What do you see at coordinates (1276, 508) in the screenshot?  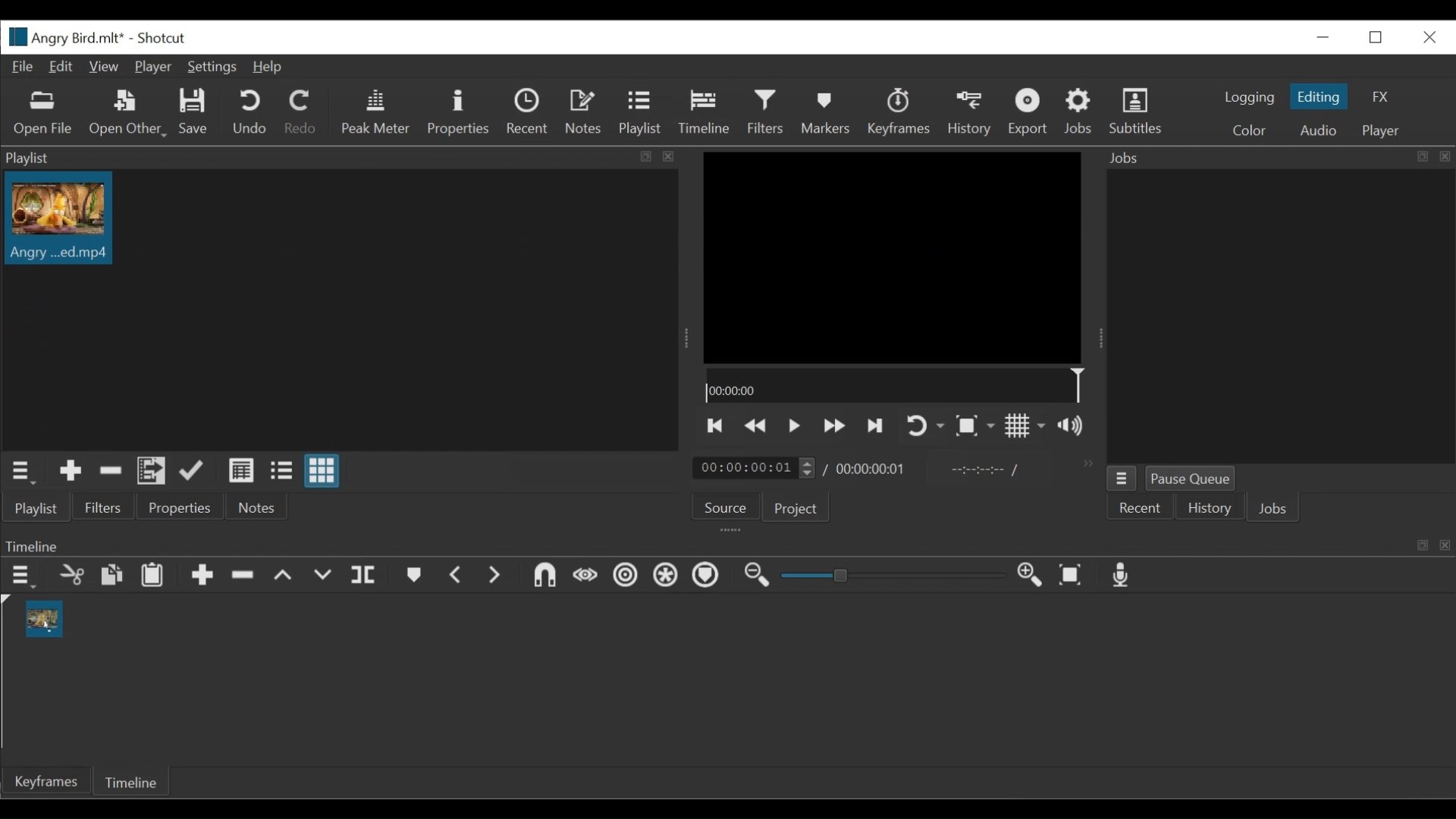 I see `Jobs` at bounding box center [1276, 508].